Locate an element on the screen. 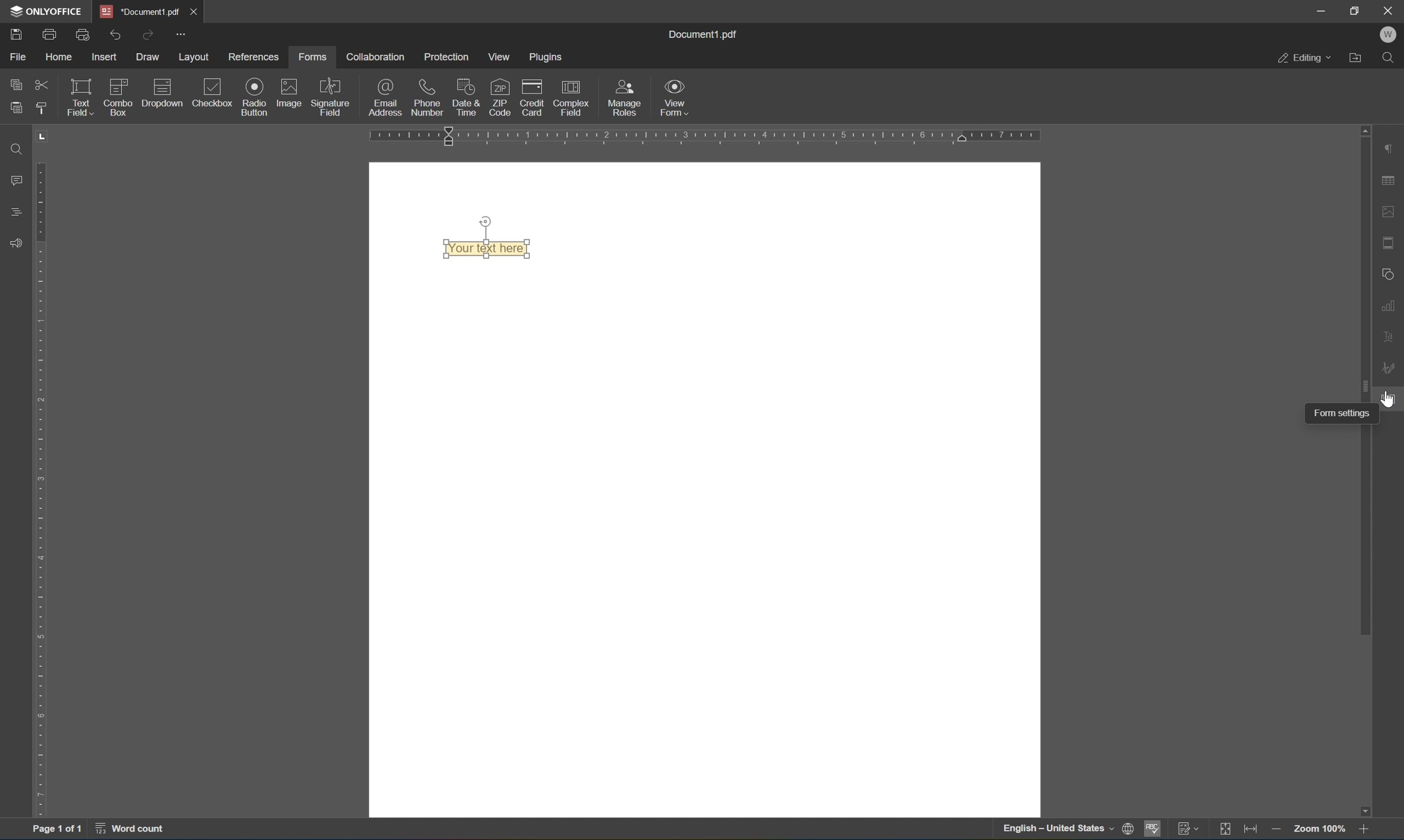  complex field is located at coordinates (570, 98).